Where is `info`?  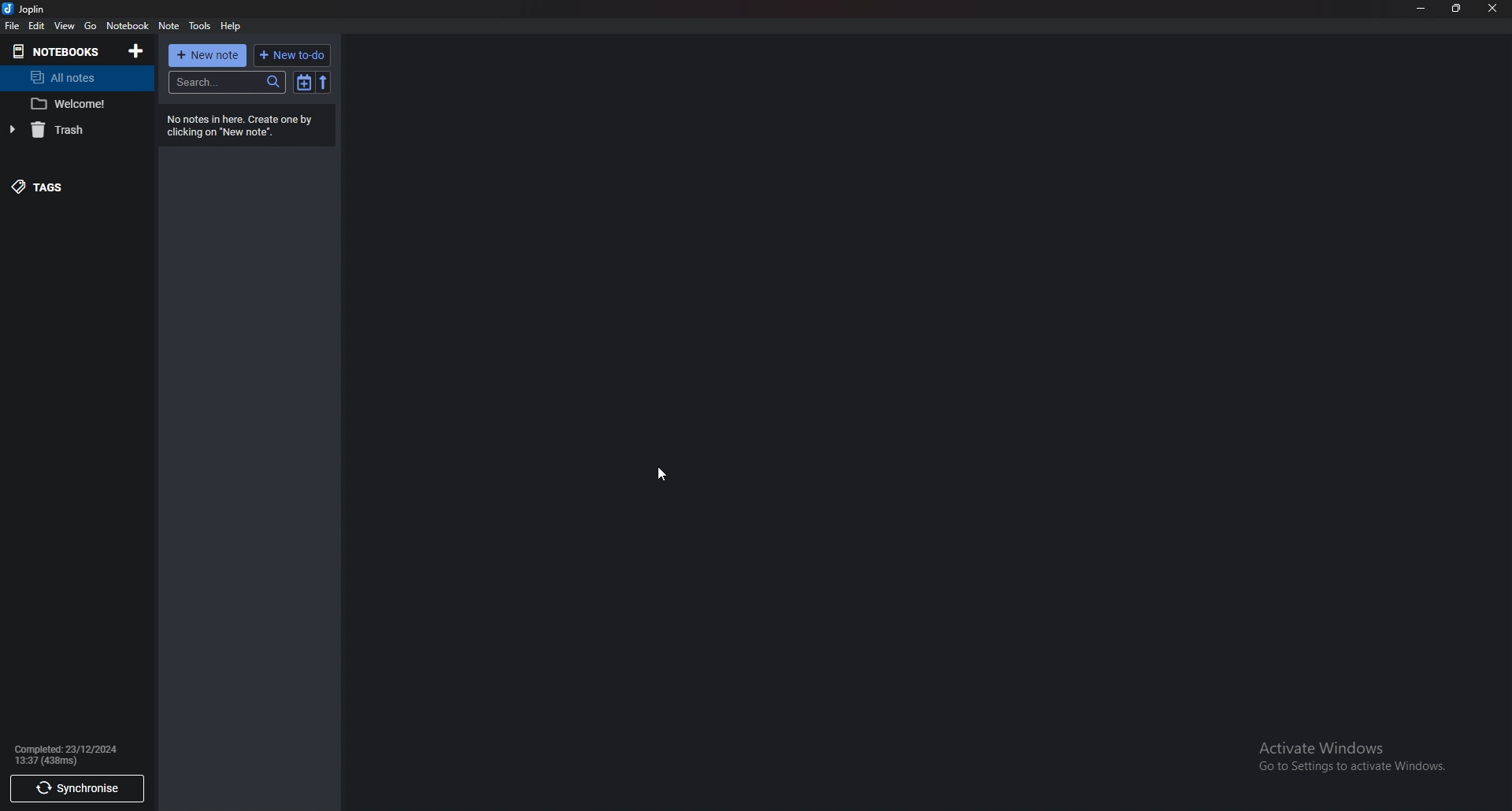 info is located at coordinates (251, 124).